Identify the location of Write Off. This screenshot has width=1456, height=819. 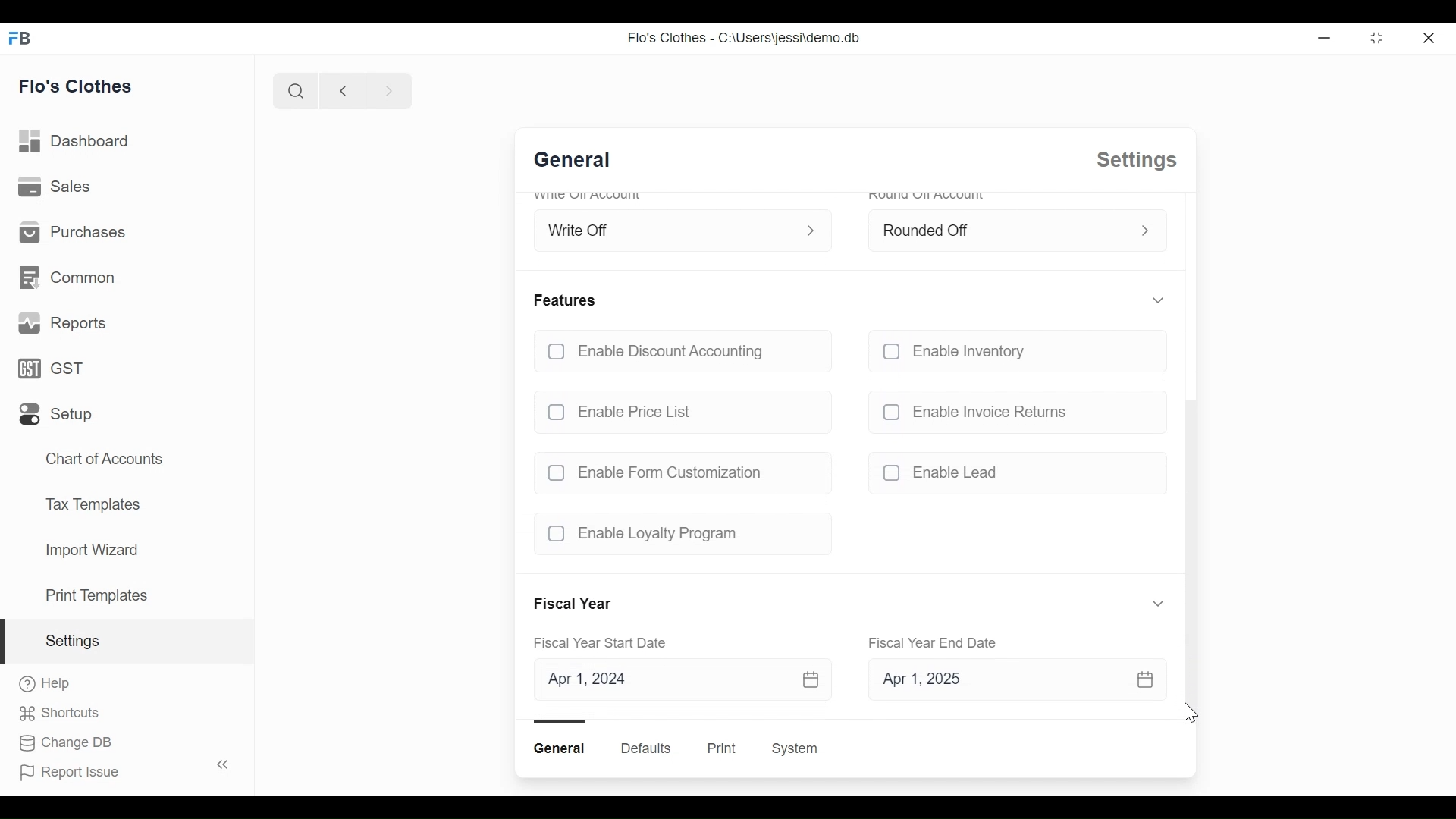
(667, 227).